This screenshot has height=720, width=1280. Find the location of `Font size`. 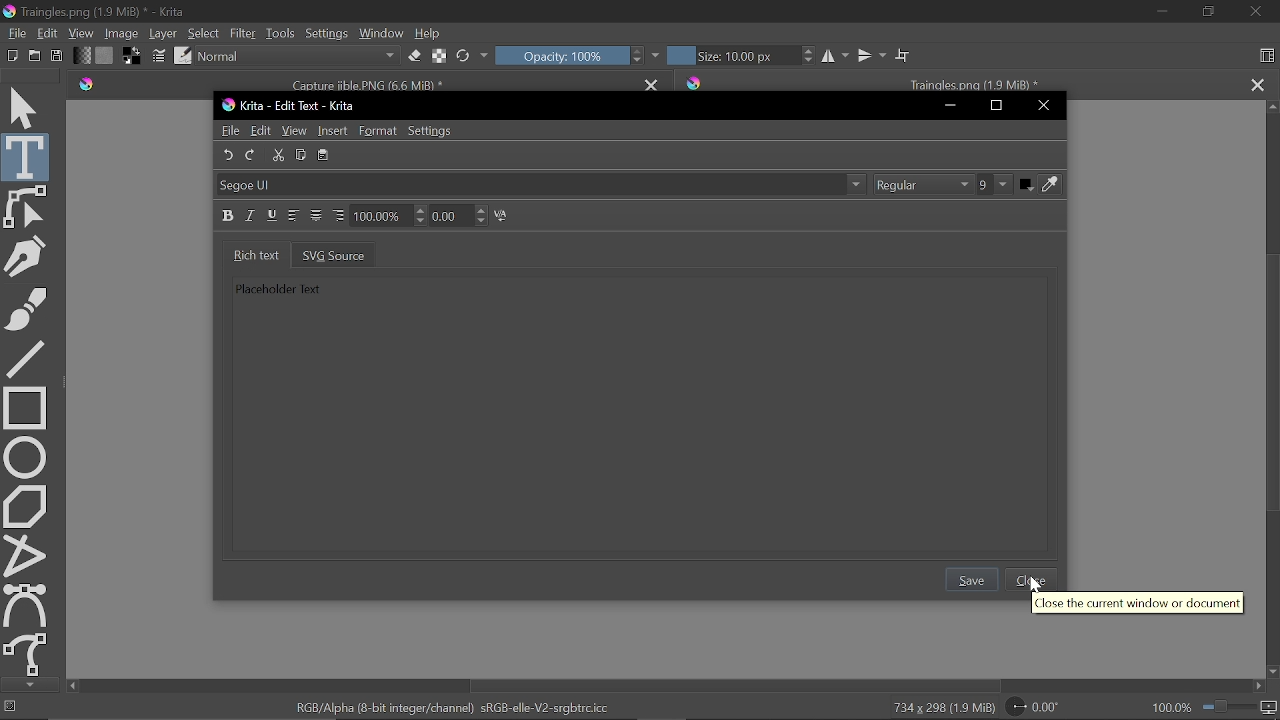

Font size is located at coordinates (995, 185).